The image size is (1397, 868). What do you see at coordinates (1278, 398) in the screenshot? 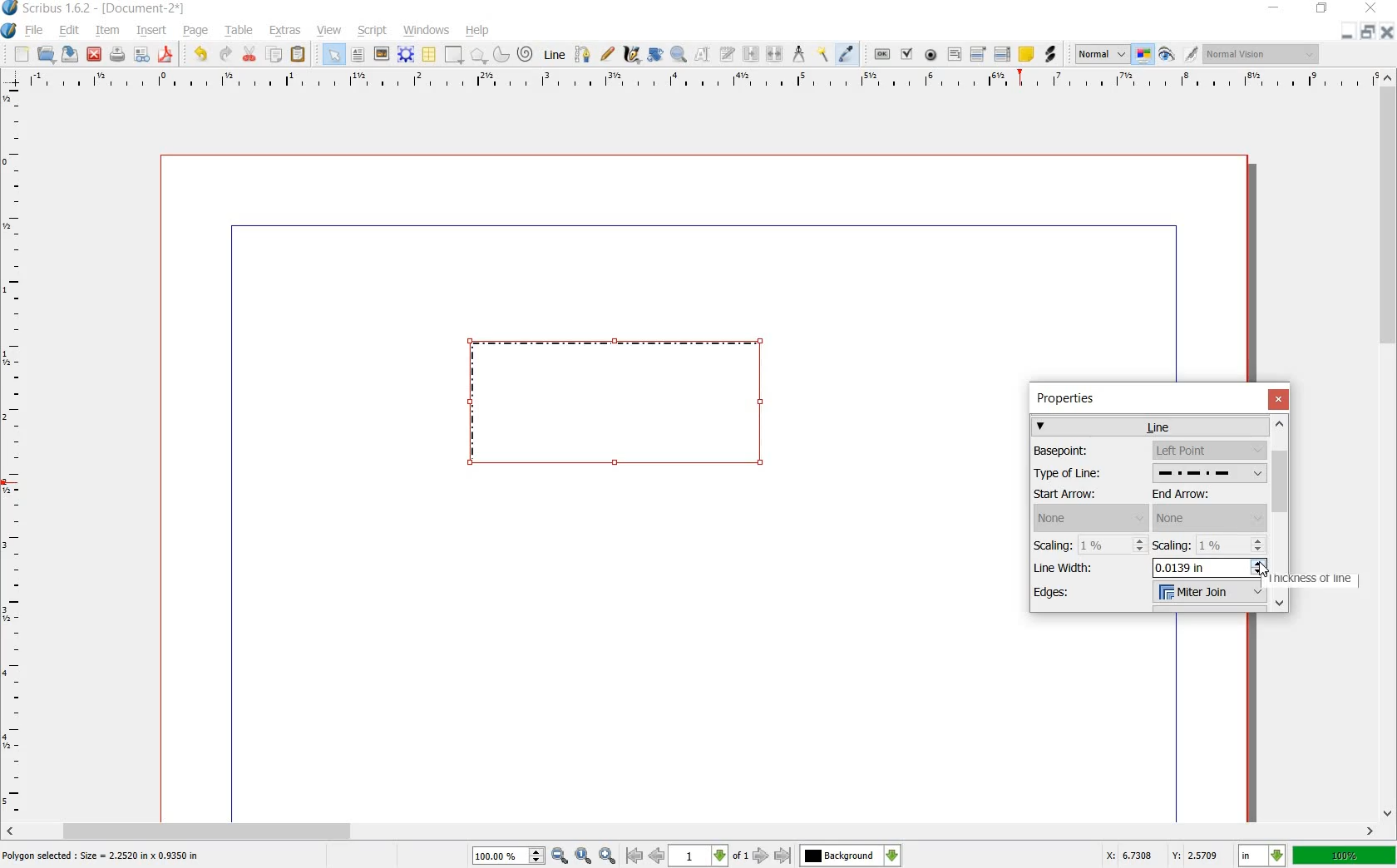
I see `close` at bounding box center [1278, 398].